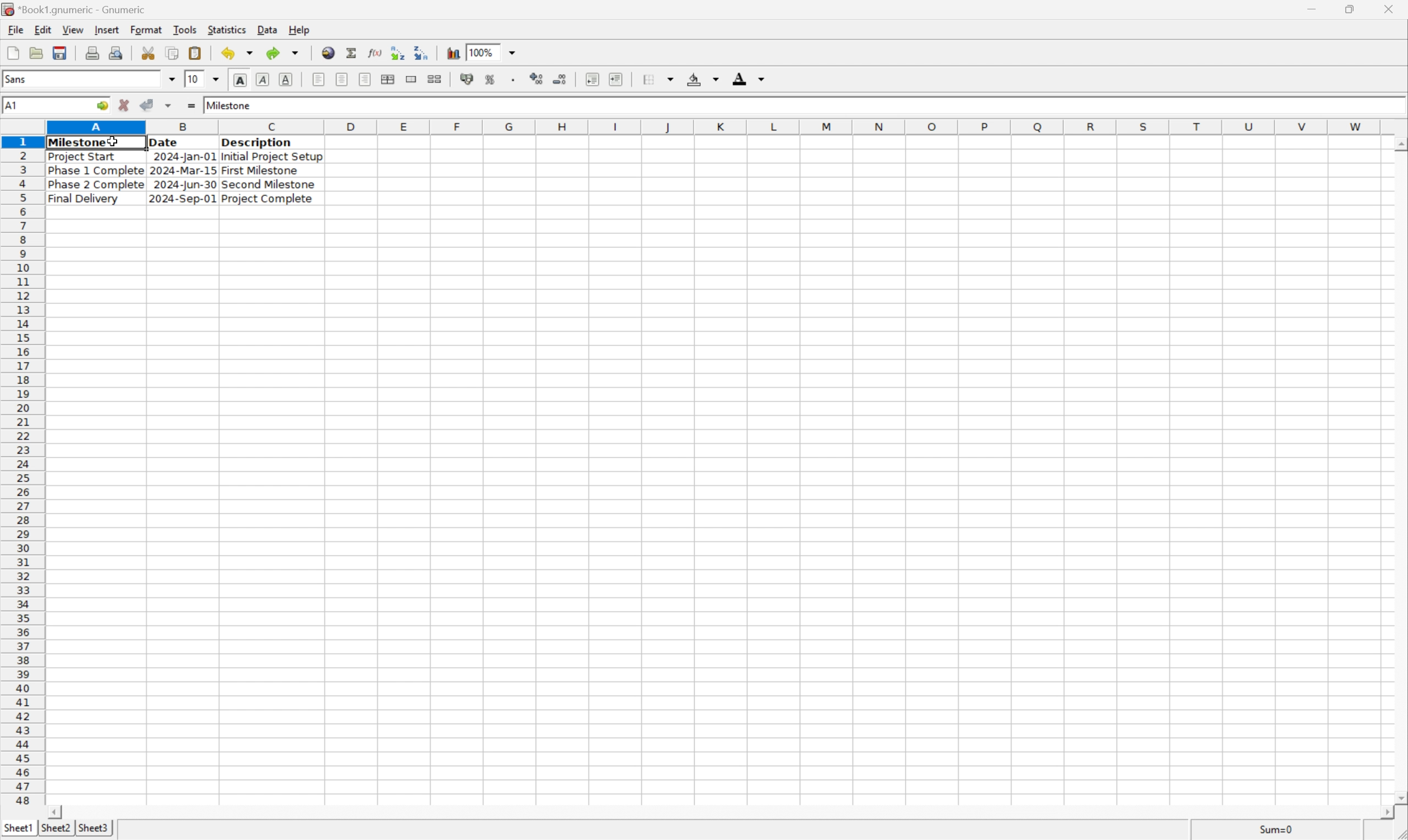 The height and width of the screenshot is (840, 1408). I want to click on enter formula, so click(190, 106).